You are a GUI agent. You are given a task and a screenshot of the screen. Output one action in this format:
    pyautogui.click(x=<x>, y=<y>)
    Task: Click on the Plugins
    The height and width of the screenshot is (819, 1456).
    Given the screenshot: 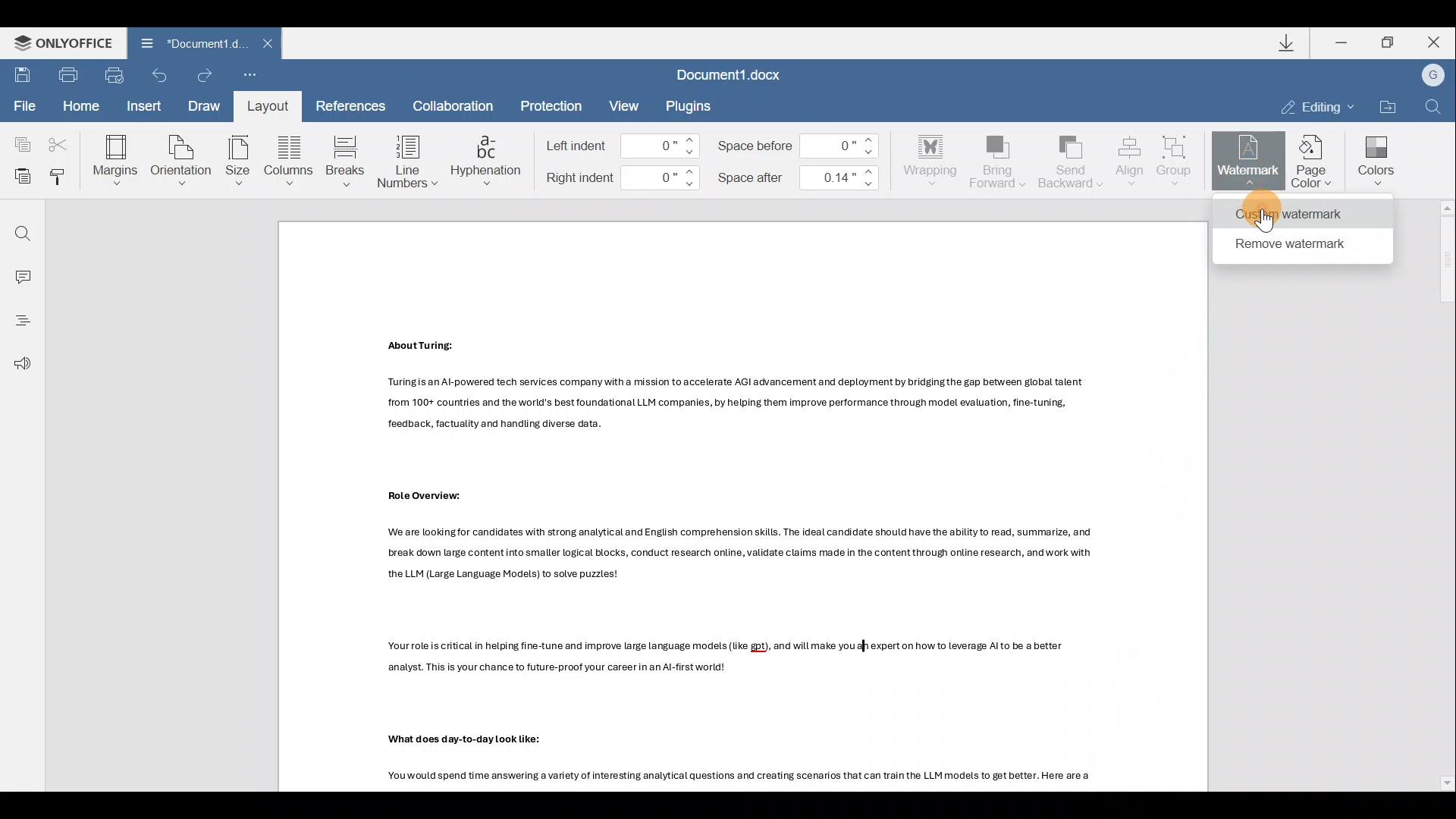 What is the action you would take?
    pyautogui.click(x=692, y=106)
    